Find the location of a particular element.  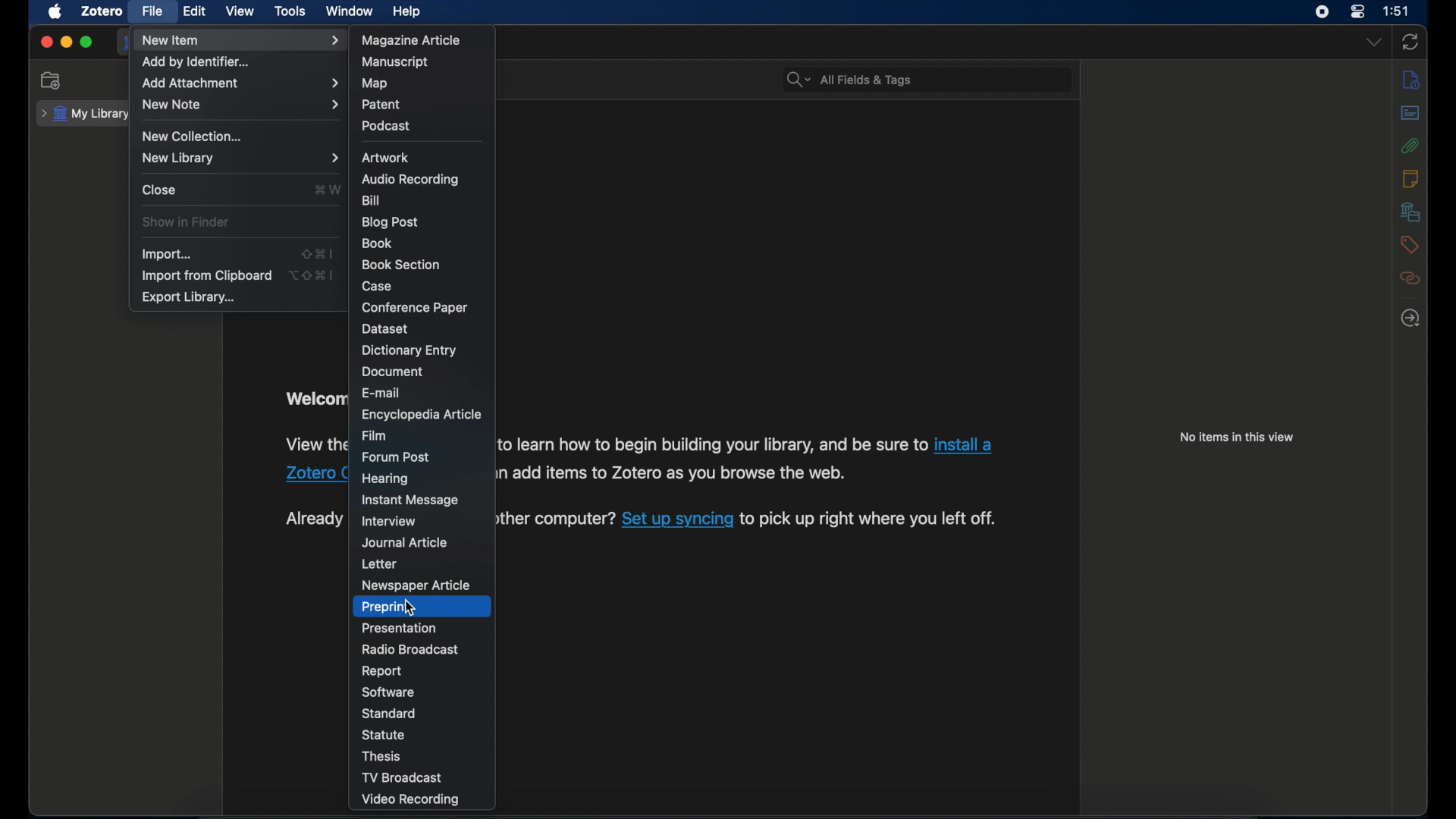

manuscript is located at coordinates (397, 61).